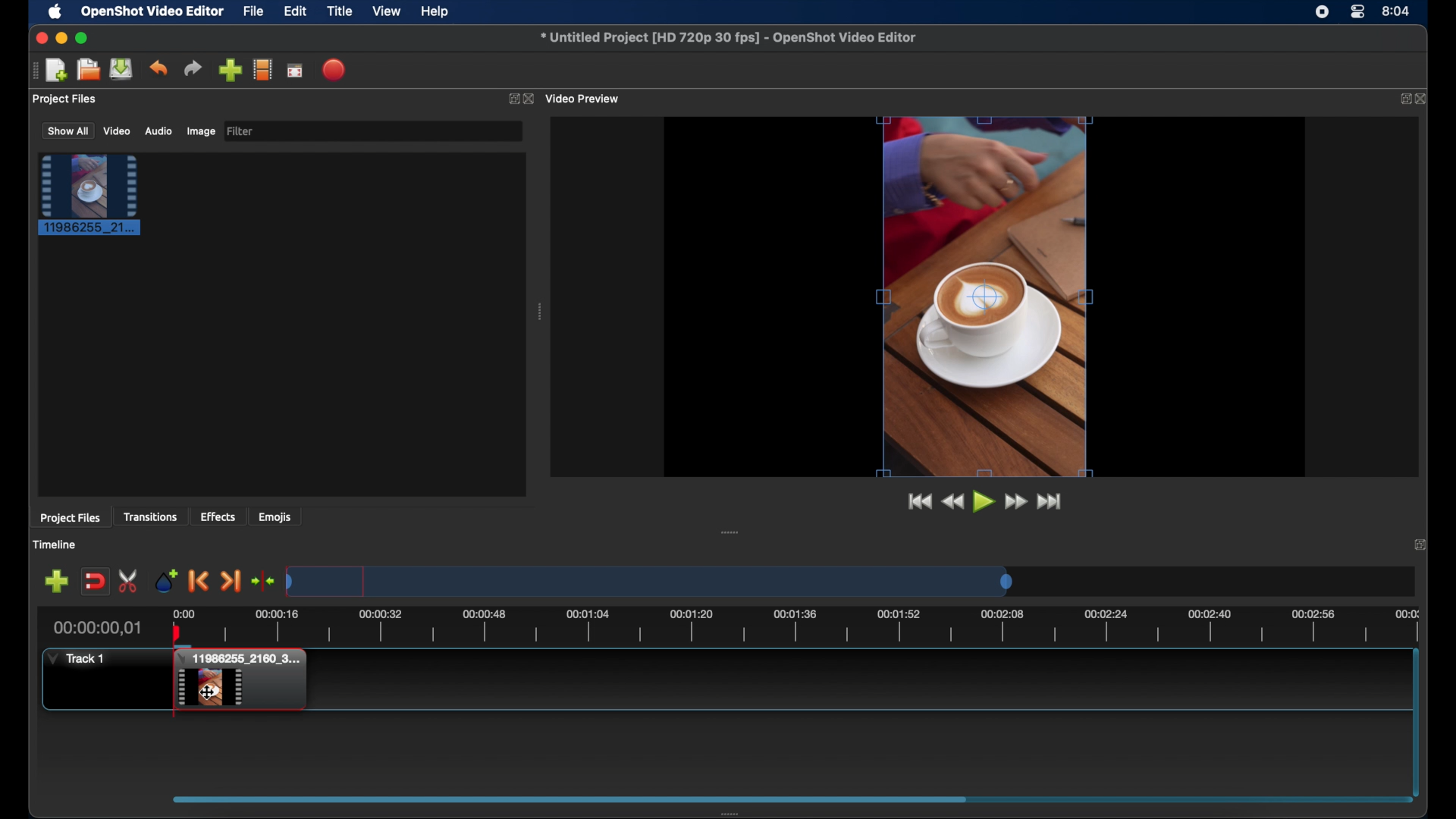 The width and height of the screenshot is (1456, 819). Describe the element at coordinates (585, 98) in the screenshot. I see `video preview` at that location.